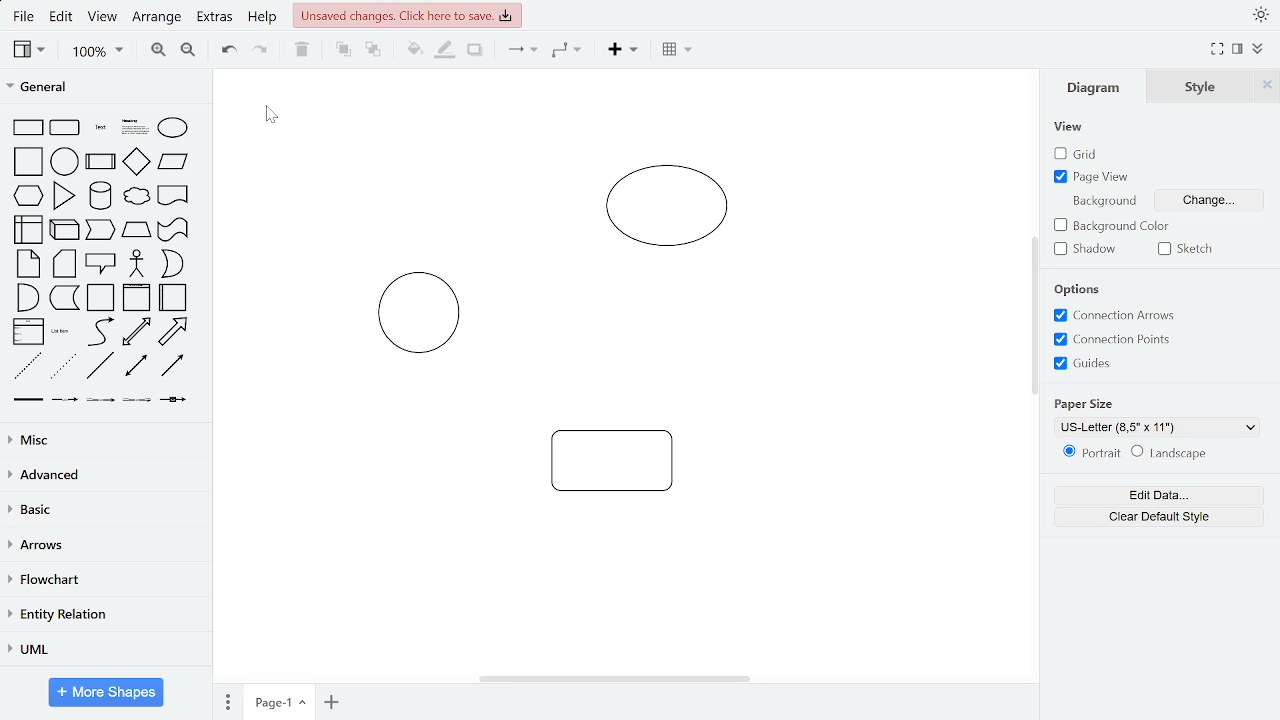 The height and width of the screenshot is (720, 1280). Describe the element at coordinates (64, 18) in the screenshot. I see `edit` at that location.